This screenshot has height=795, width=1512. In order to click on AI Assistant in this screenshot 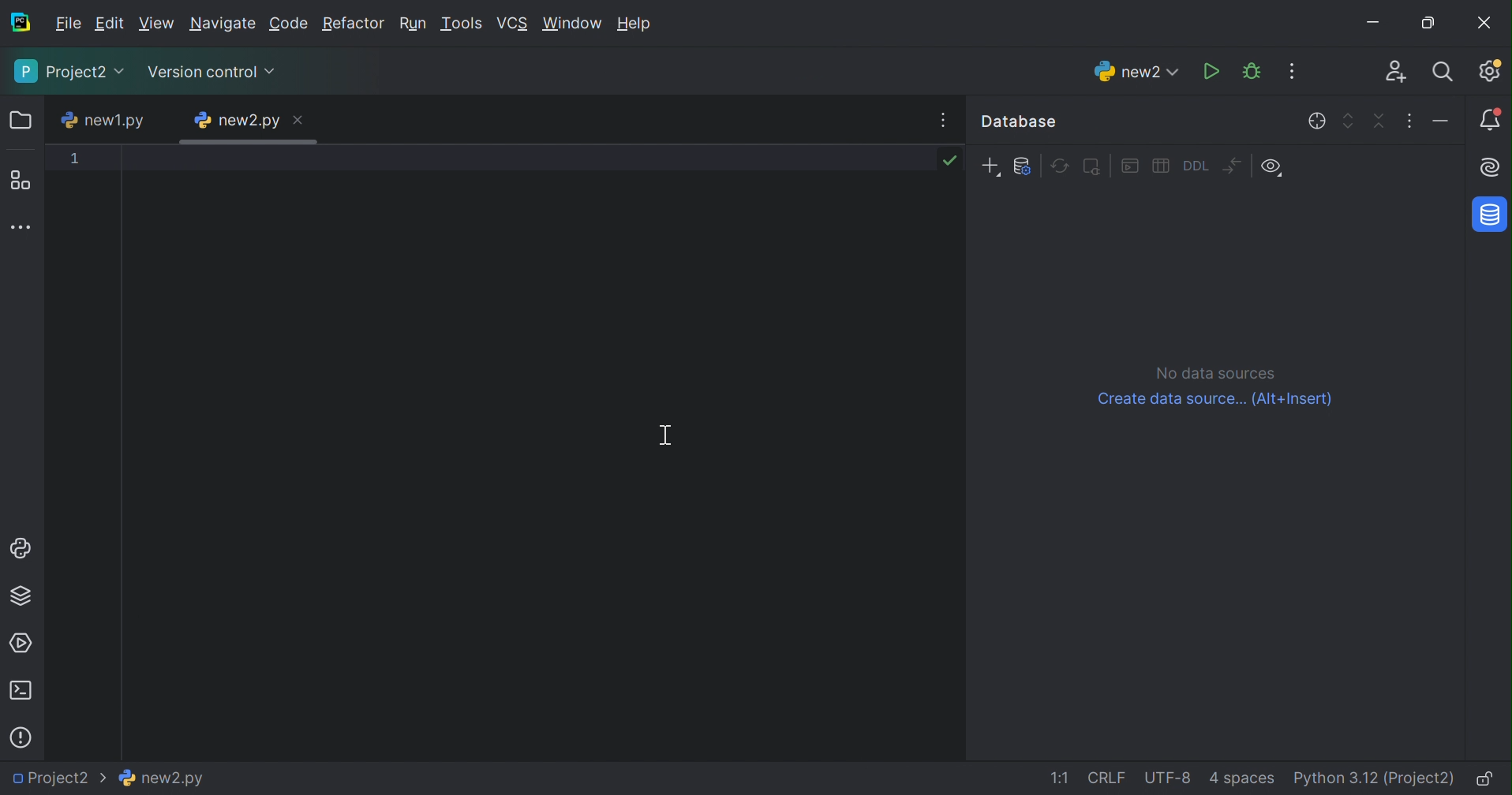, I will do `click(1494, 170)`.